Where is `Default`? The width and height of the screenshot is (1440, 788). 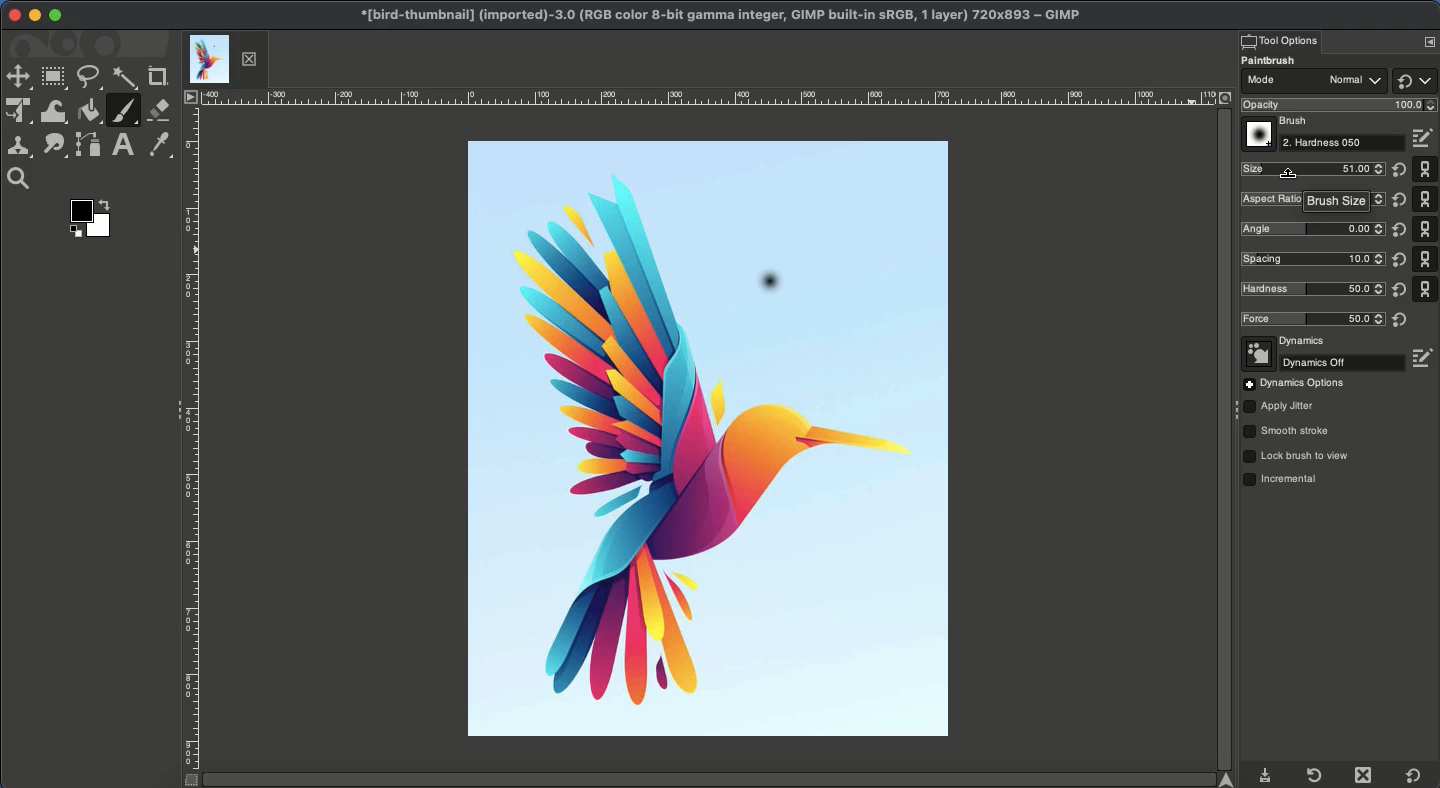
Default is located at coordinates (1414, 80).